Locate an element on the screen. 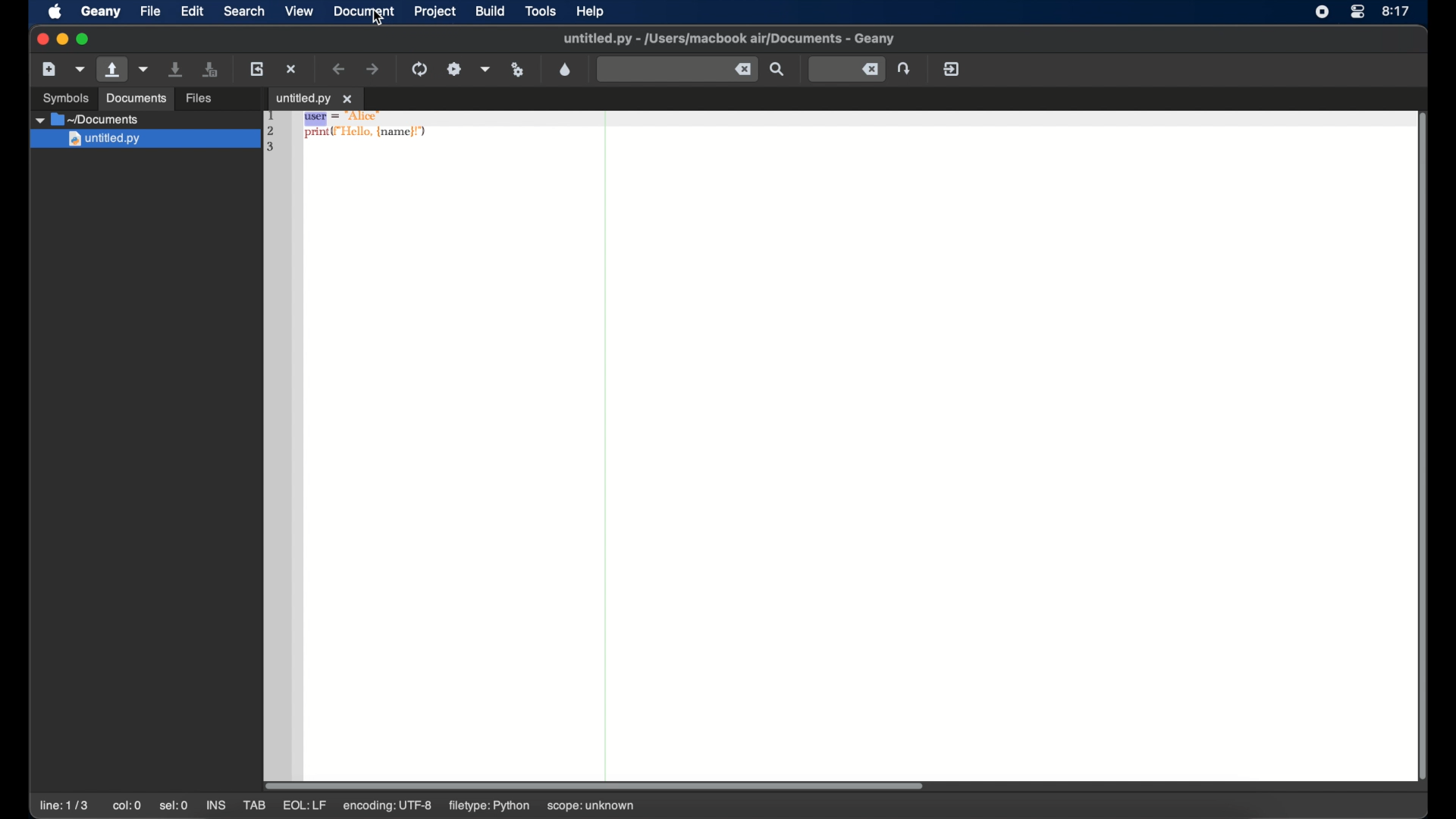  build is located at coordinates (491, 11).